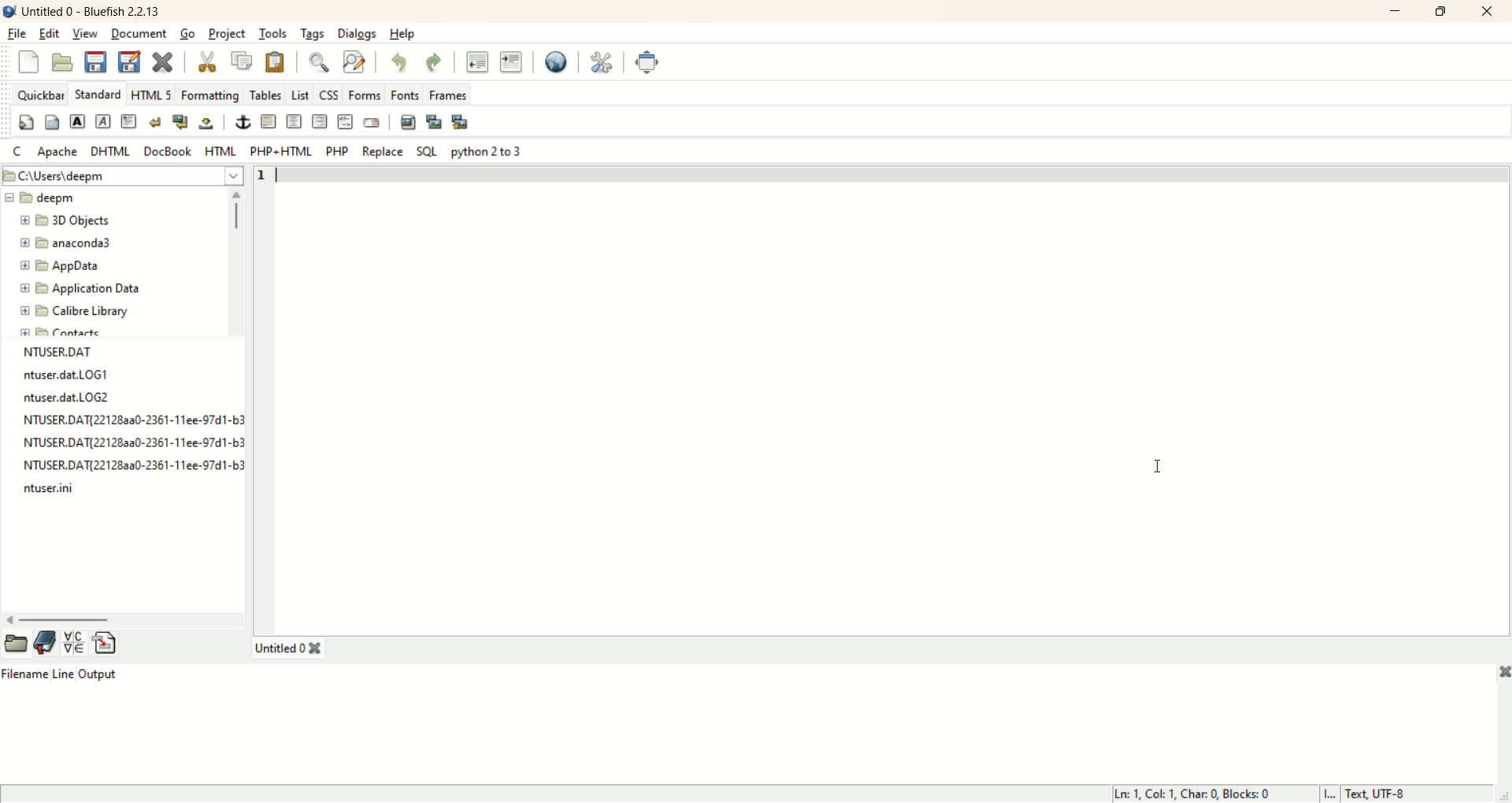  I want to click on preview in browser, so click(554, 61).